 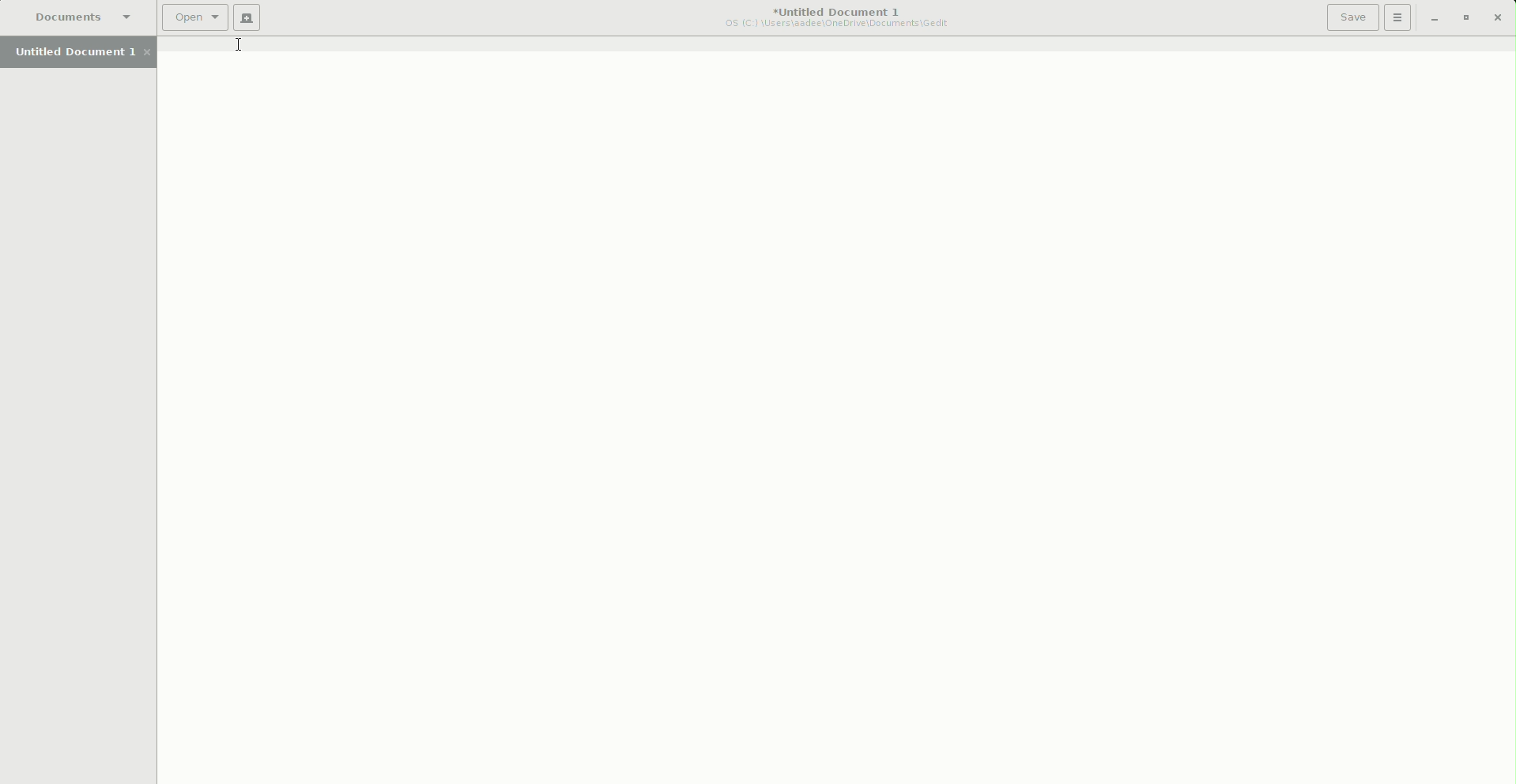 What do you see at coordinates (1397, 17) in the screenshot?
I see `Options` at bounding box center [1397, 17].